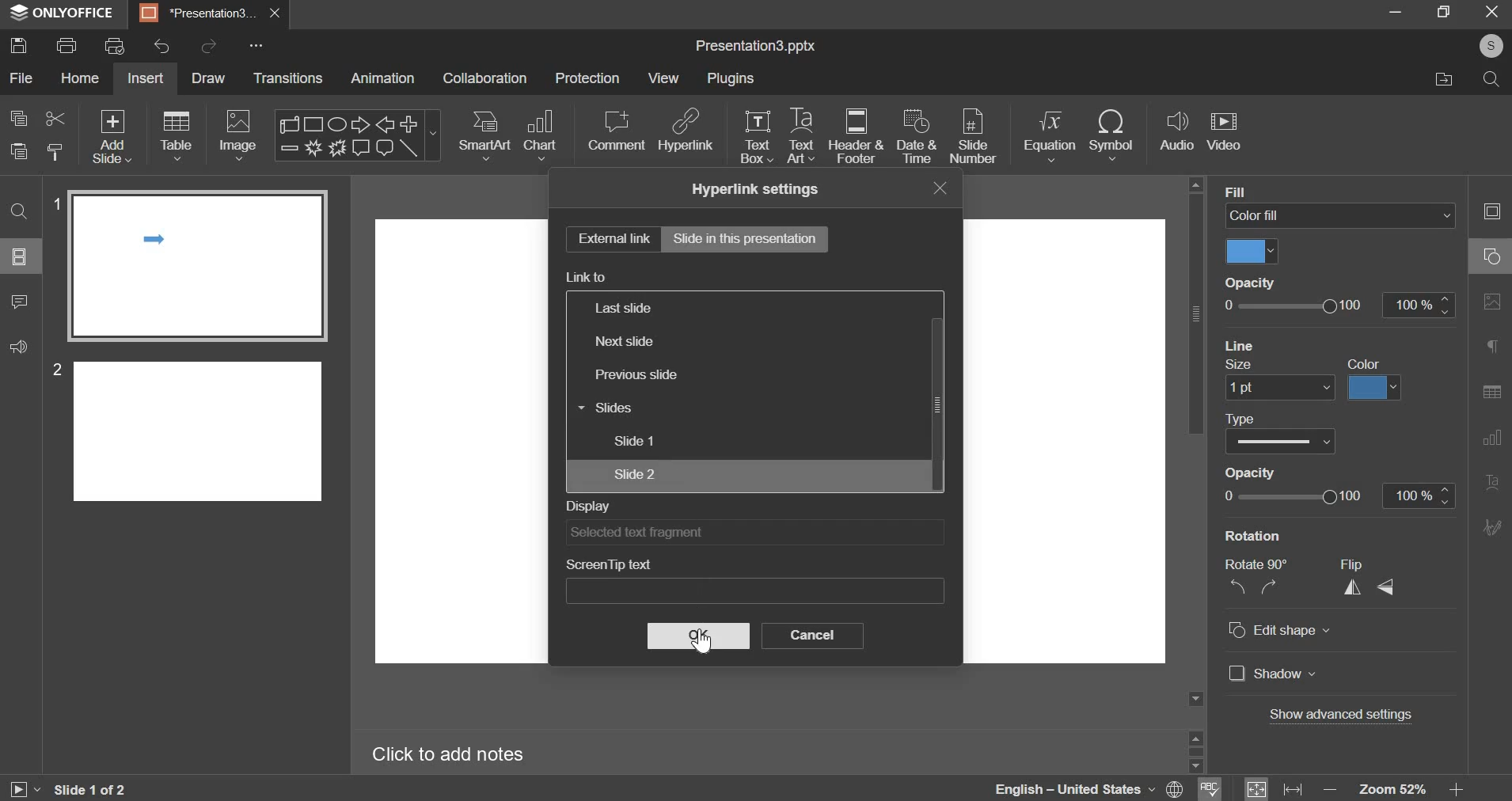 This screenshot has height=801, width=1512. What do you see at coordinates (700, 642) in the screenshot?
I see `Cursor` at bounding box center [700, 642].